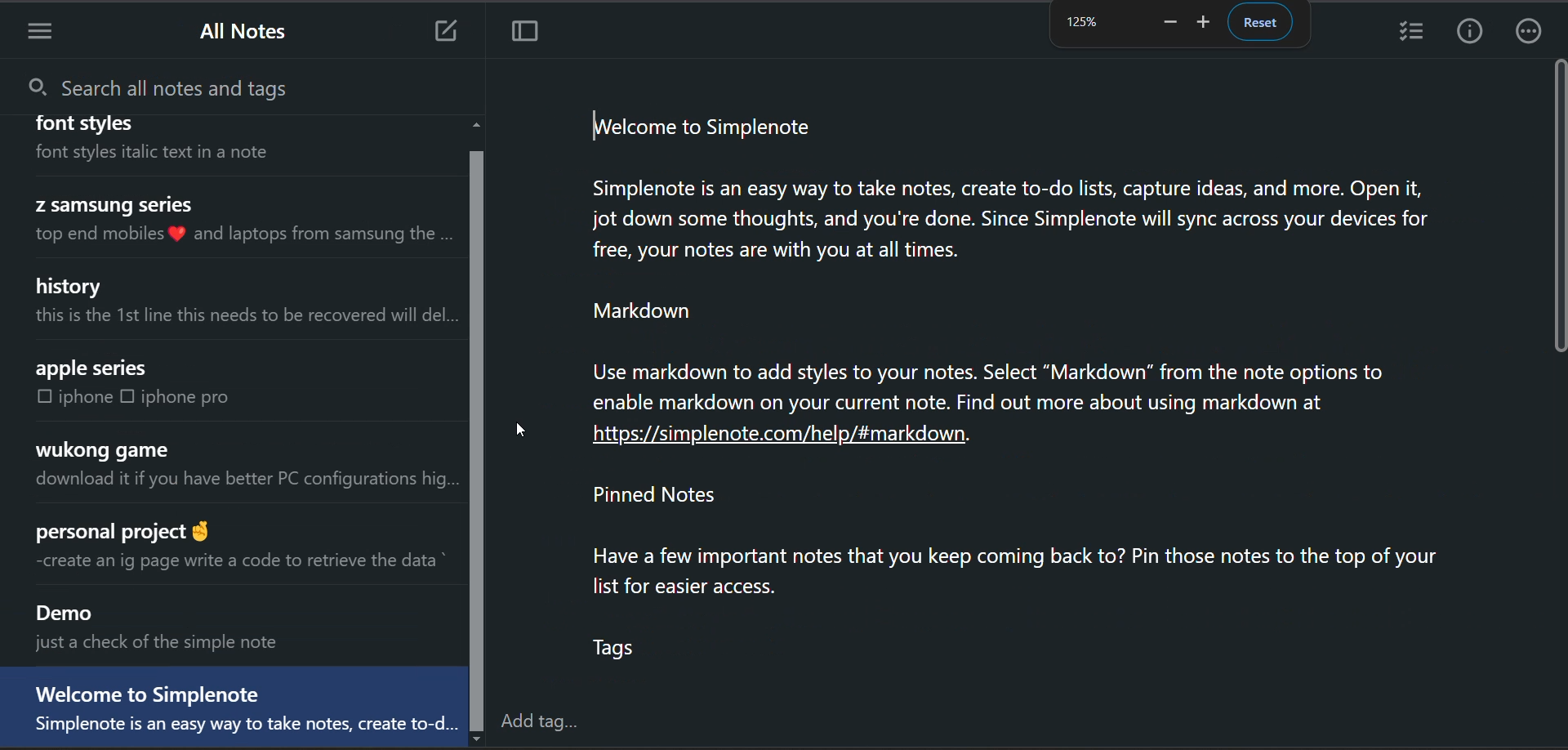 This screenshot has width=1568, height=750. I want to click on Welcome to Simplenote, so click(153, 693).